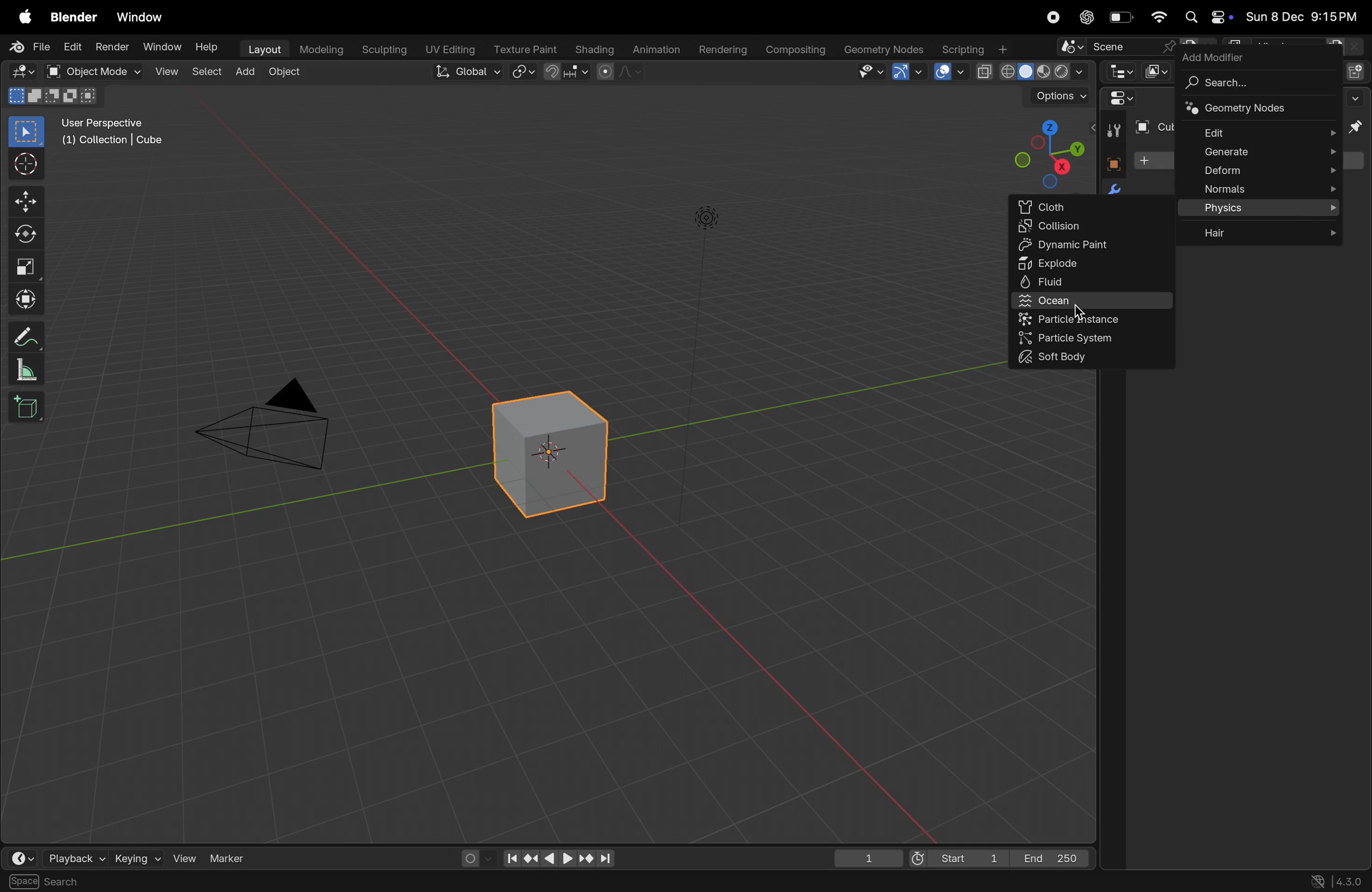  I want to click on scripting, so click(973, 50).